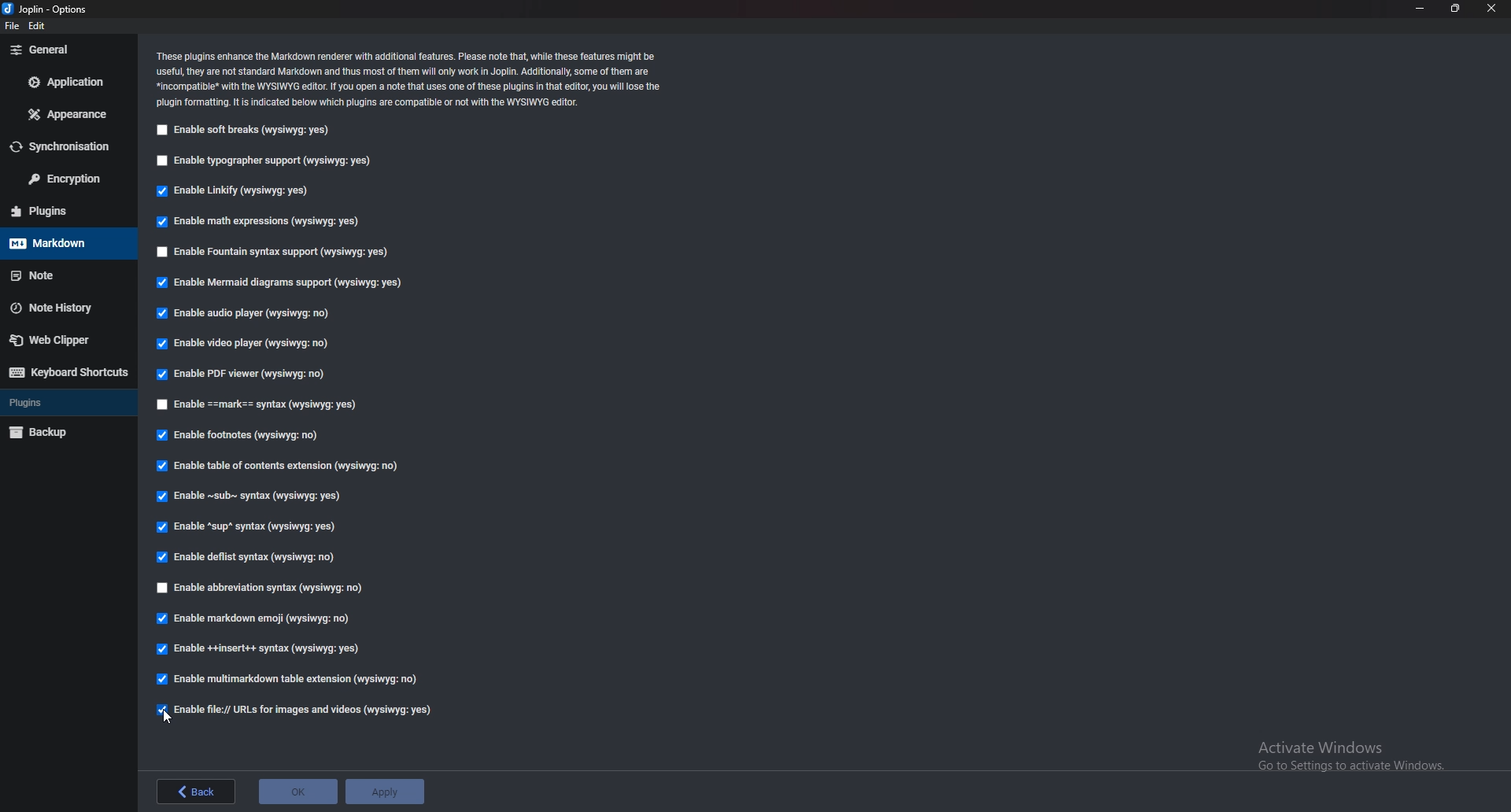  What do you see at coordinates (294, 710) in the screenshot?
I see `enable file urls for images and videos` at bounding box center [294, 710].